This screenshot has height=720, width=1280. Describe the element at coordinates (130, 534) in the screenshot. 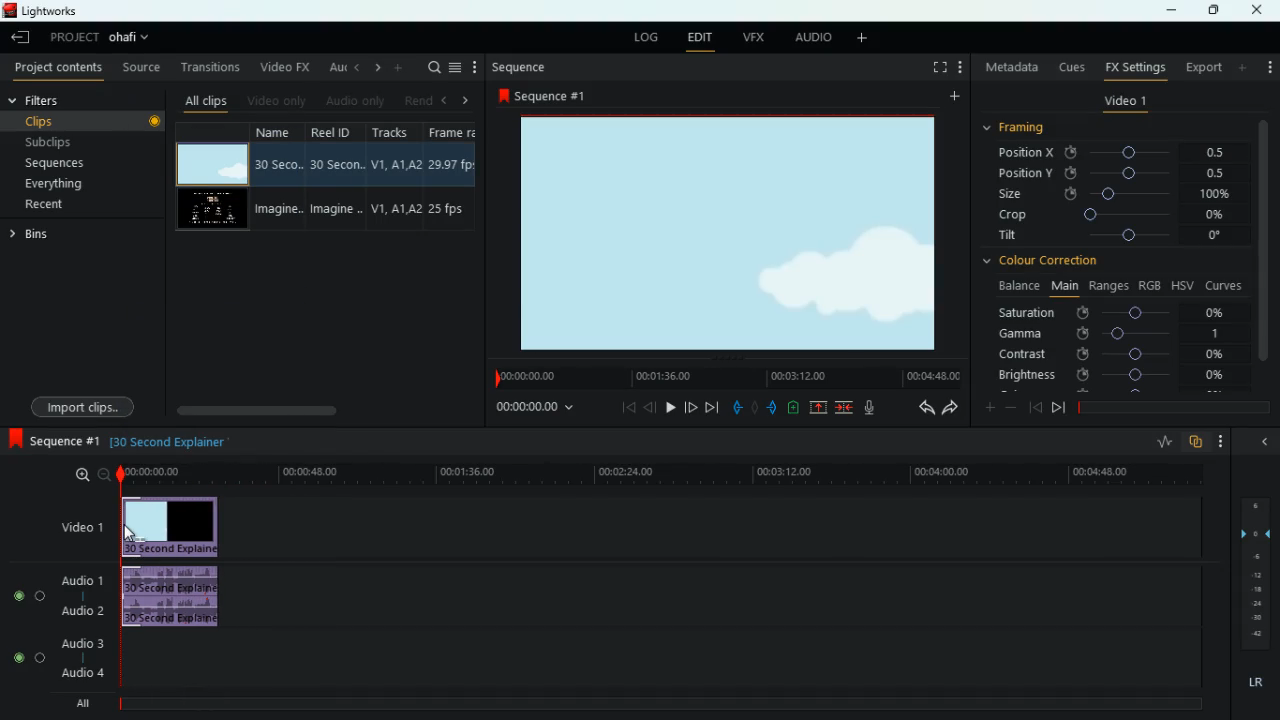

I see `Cursor` at that location.